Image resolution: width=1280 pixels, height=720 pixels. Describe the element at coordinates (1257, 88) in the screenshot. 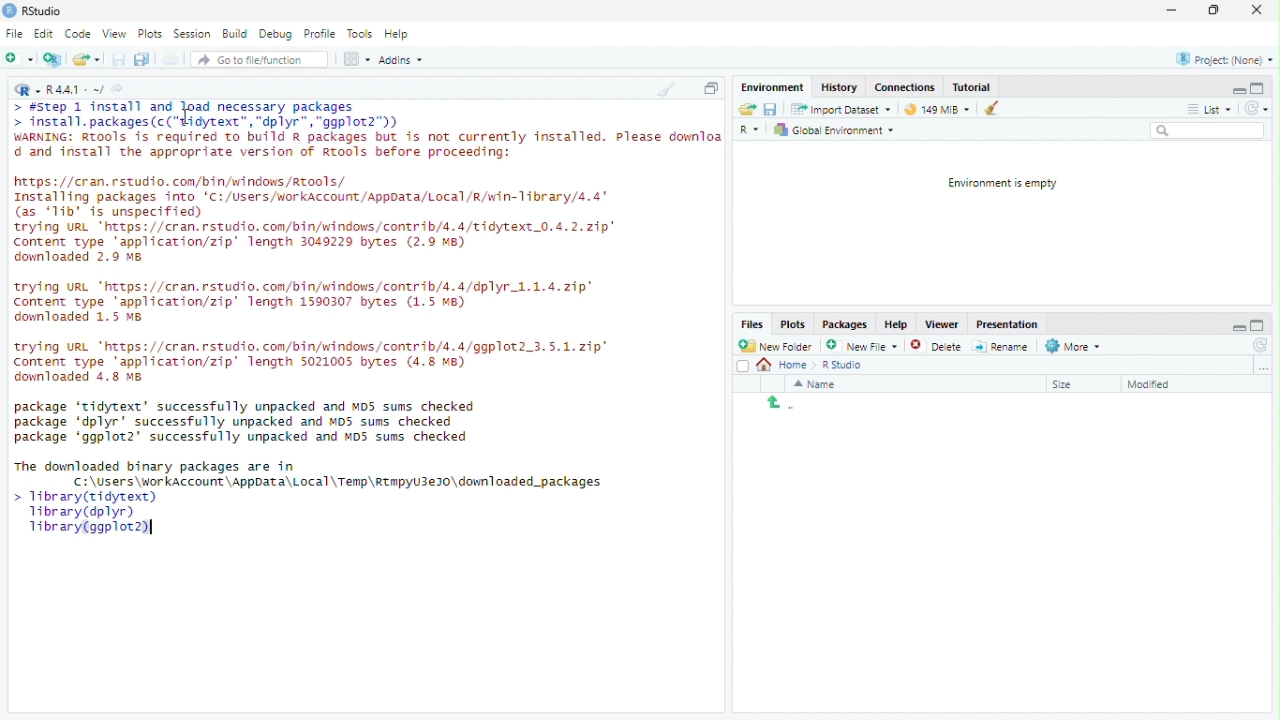

I see `Maximize` at that location.